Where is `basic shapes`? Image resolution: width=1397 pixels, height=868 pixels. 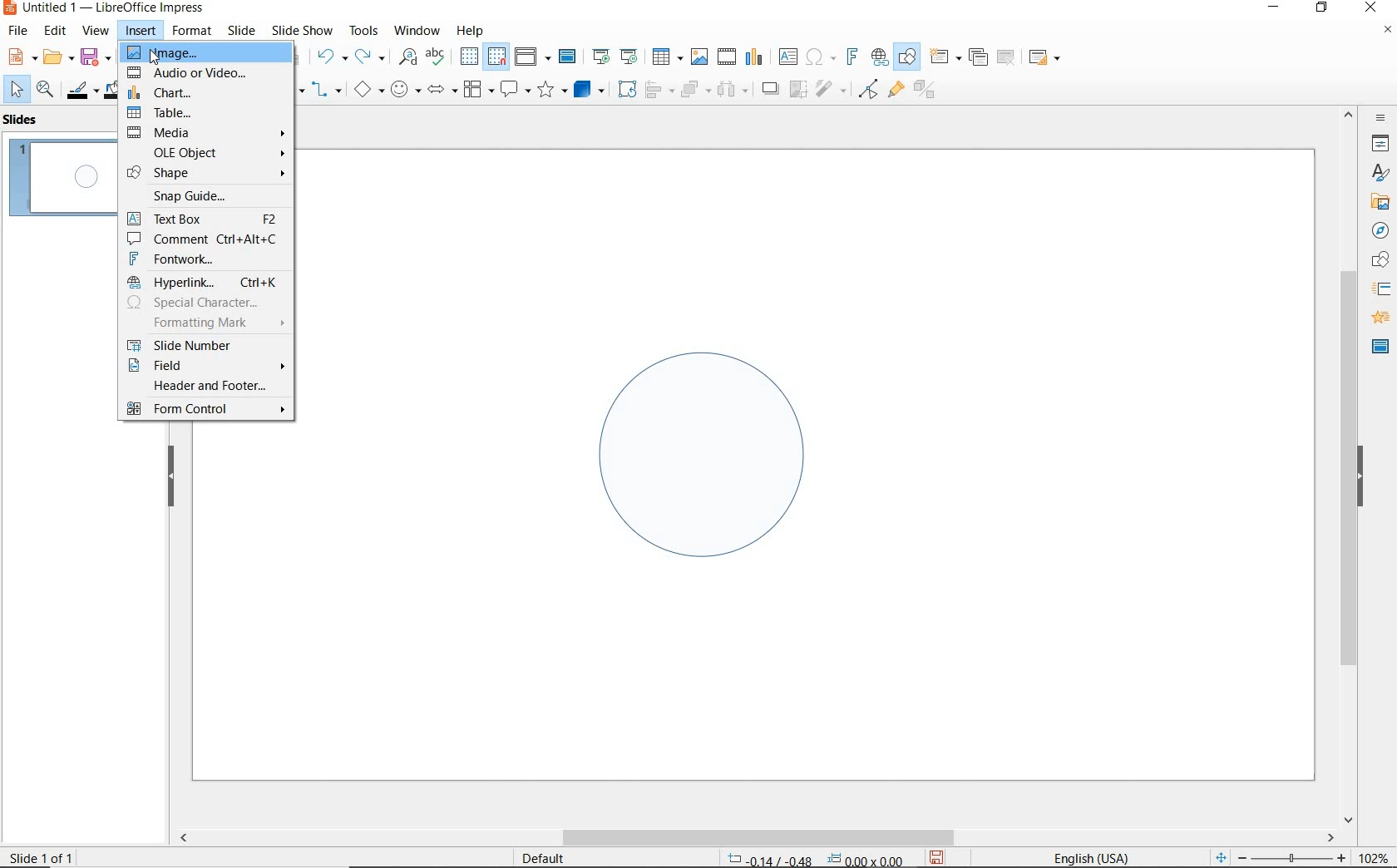 basic shapes is located at coordinates (368, 91).